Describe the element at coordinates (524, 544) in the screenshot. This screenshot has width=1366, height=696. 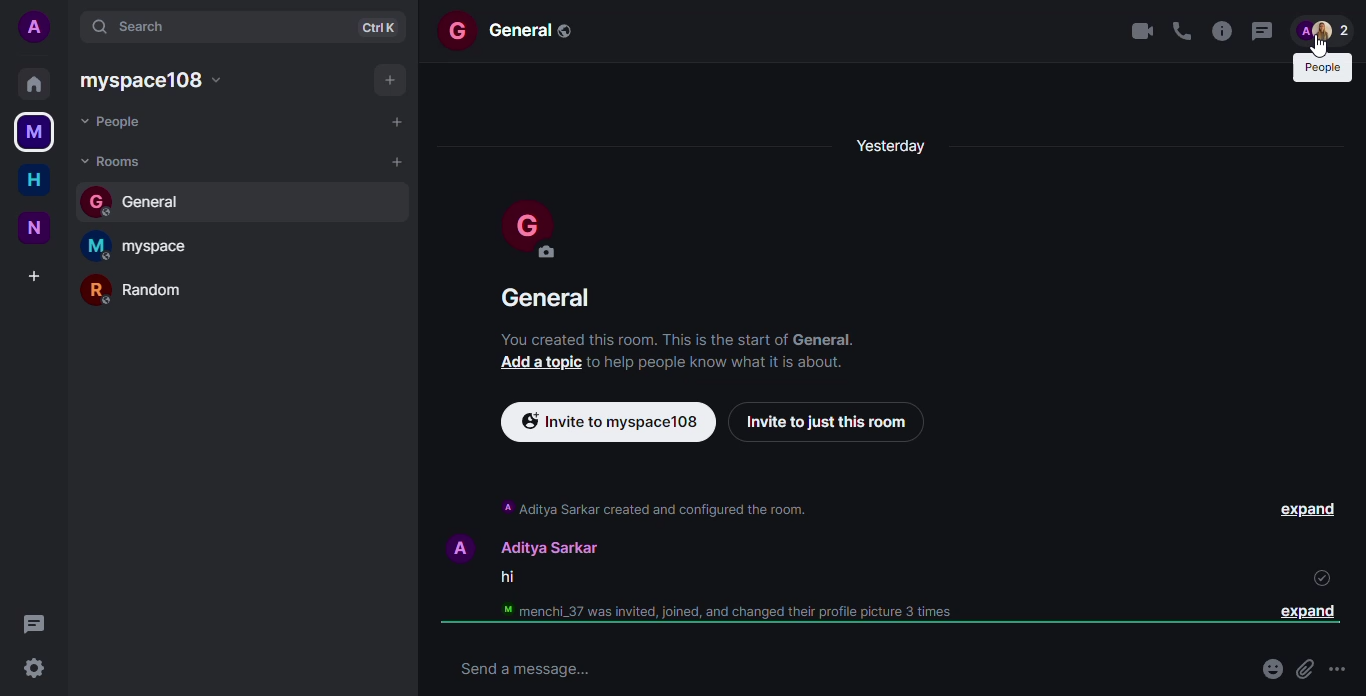
I see `A Aditya Sarkar` at that location.